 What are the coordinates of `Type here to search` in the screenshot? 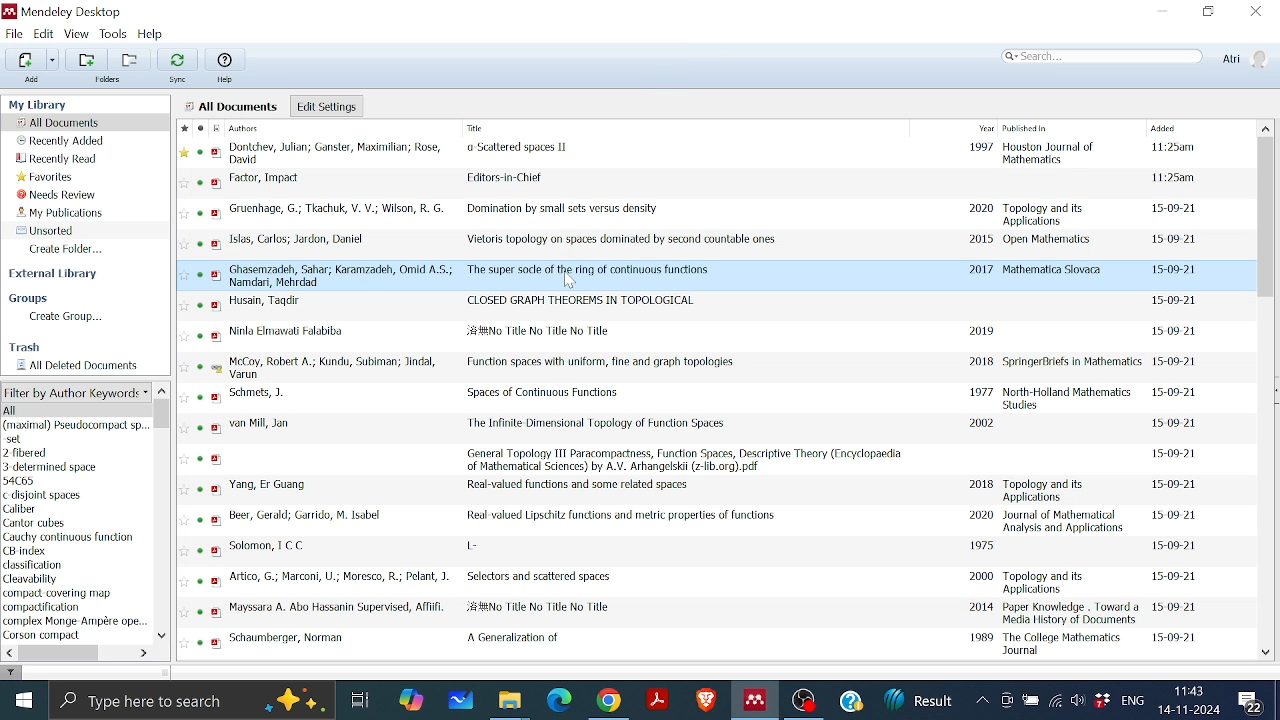 It's located at (191, 701).